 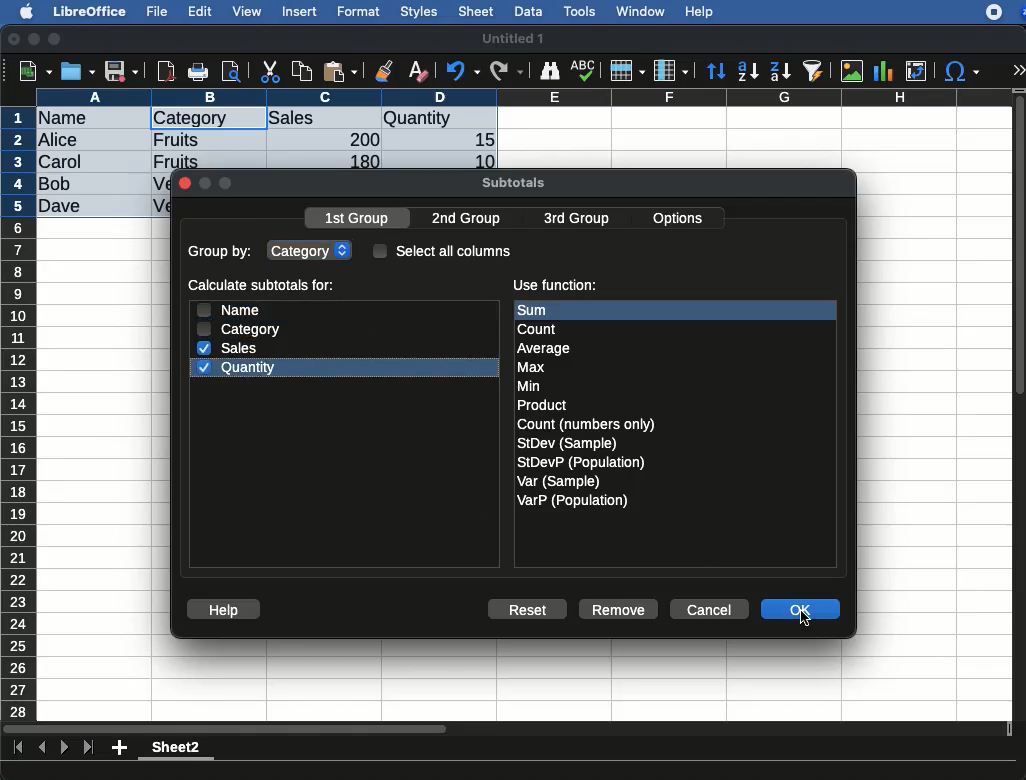 What do you see at coordinates (529, 386) in the screenshot?
I see `Min` at bounding box center [529, 386].